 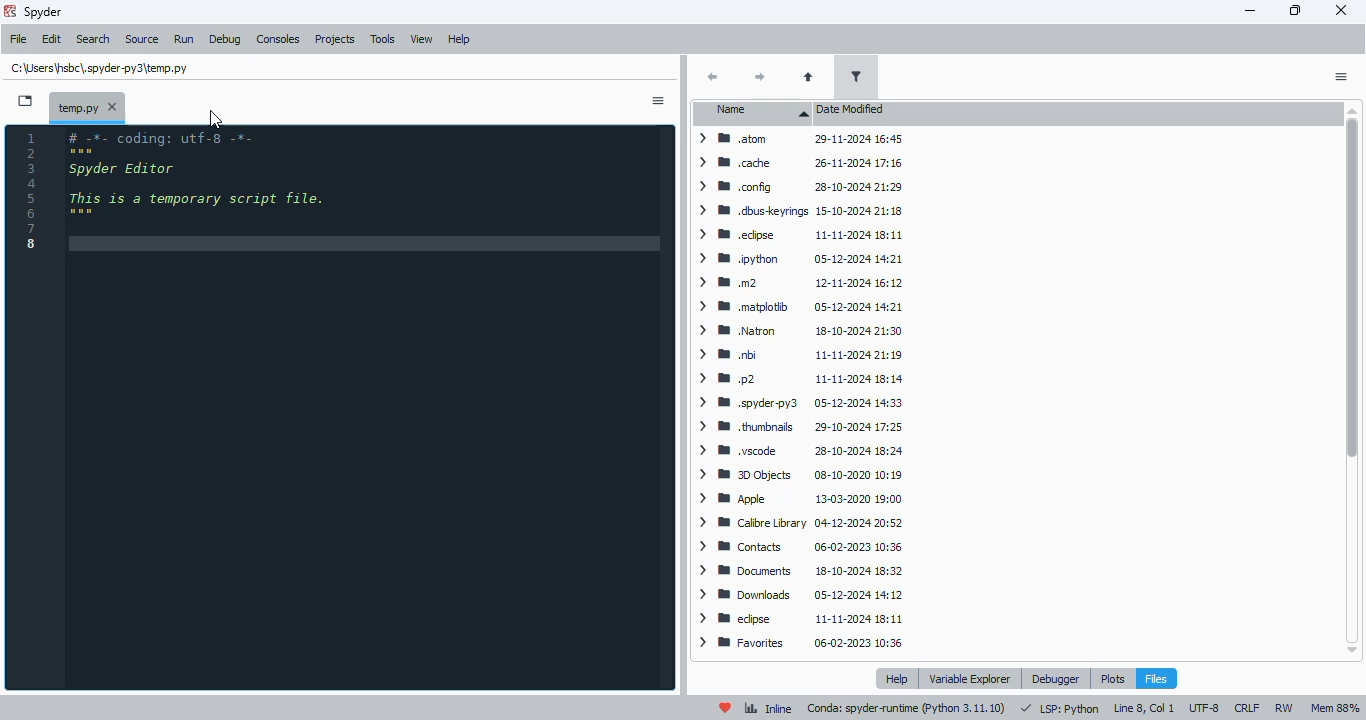 What do you see at coordinates (795, 547) in the screenshot?
I see `> WB Contacts 06-02-2023 10:36` at bounding box center [795, 547].